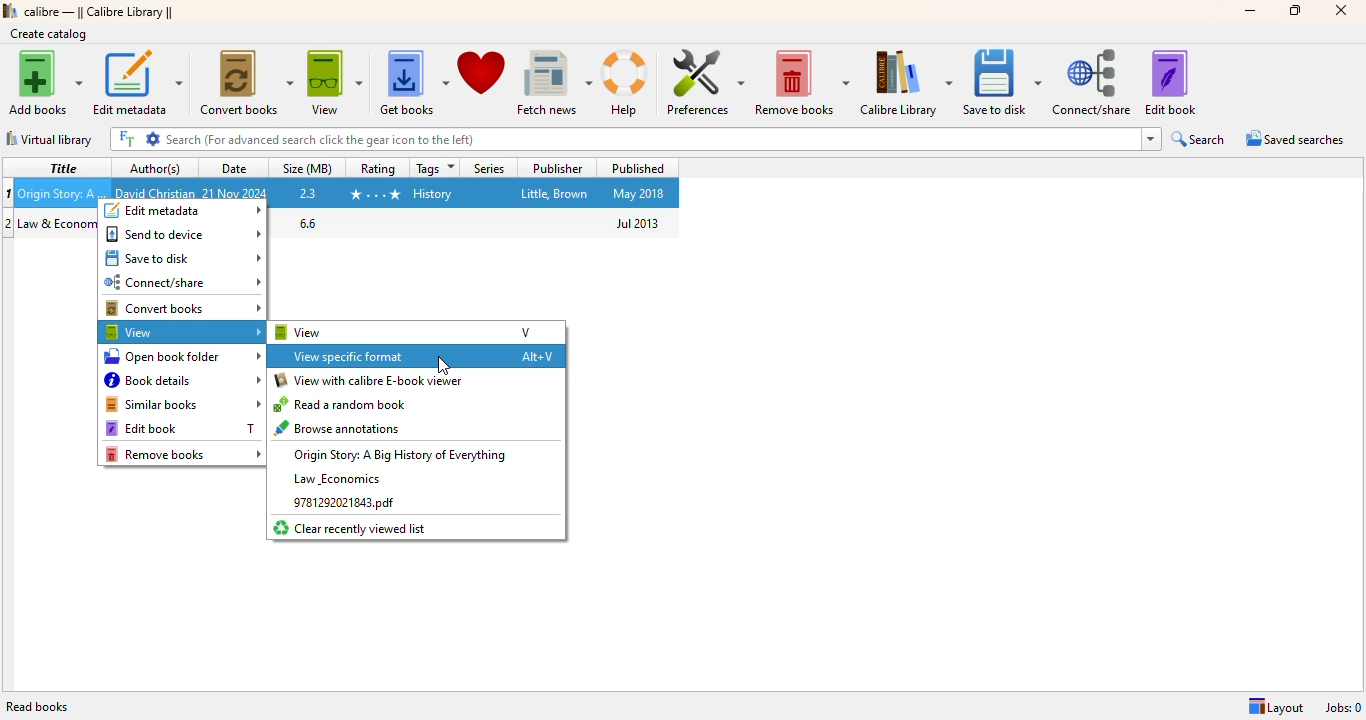  I want to click on remove books, so click(801, 83).